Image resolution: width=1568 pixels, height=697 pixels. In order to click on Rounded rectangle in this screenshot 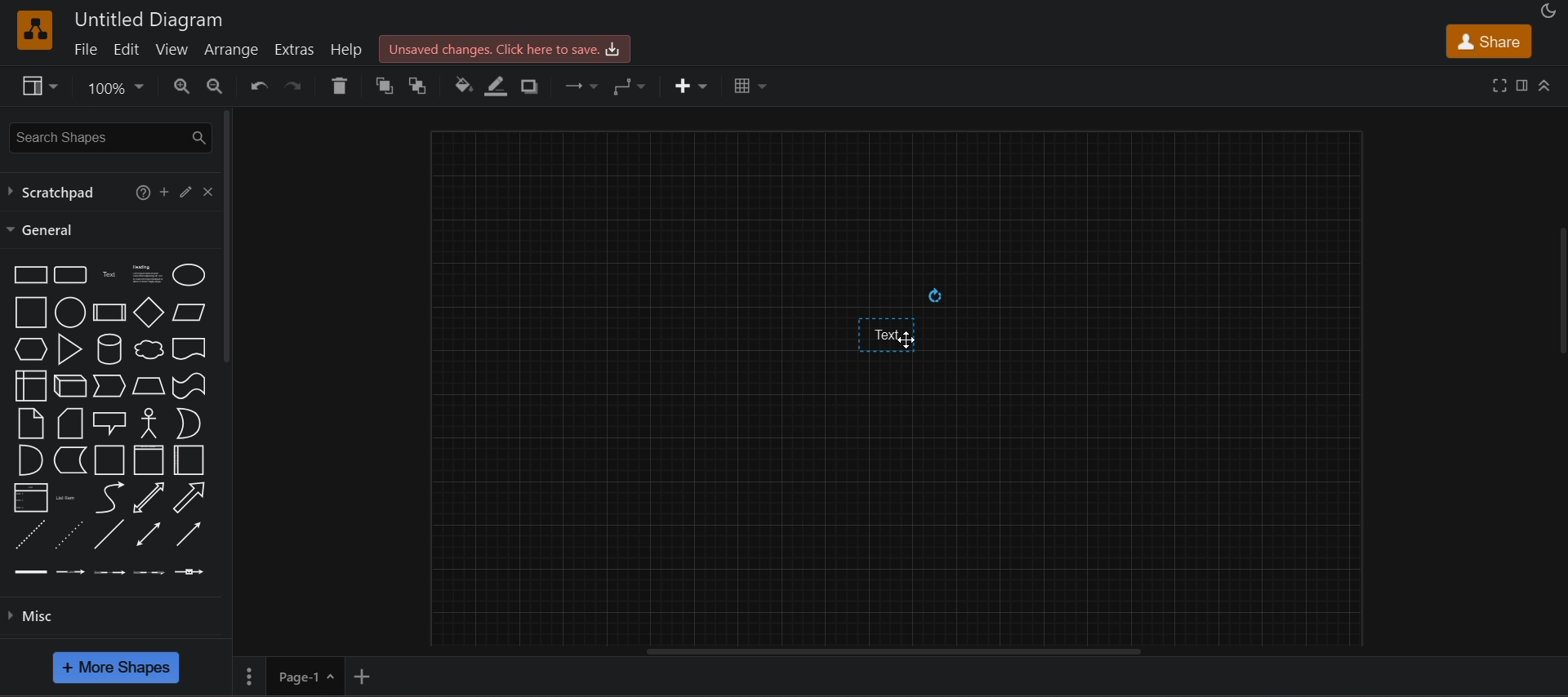, I will do `click(70, 274)`.